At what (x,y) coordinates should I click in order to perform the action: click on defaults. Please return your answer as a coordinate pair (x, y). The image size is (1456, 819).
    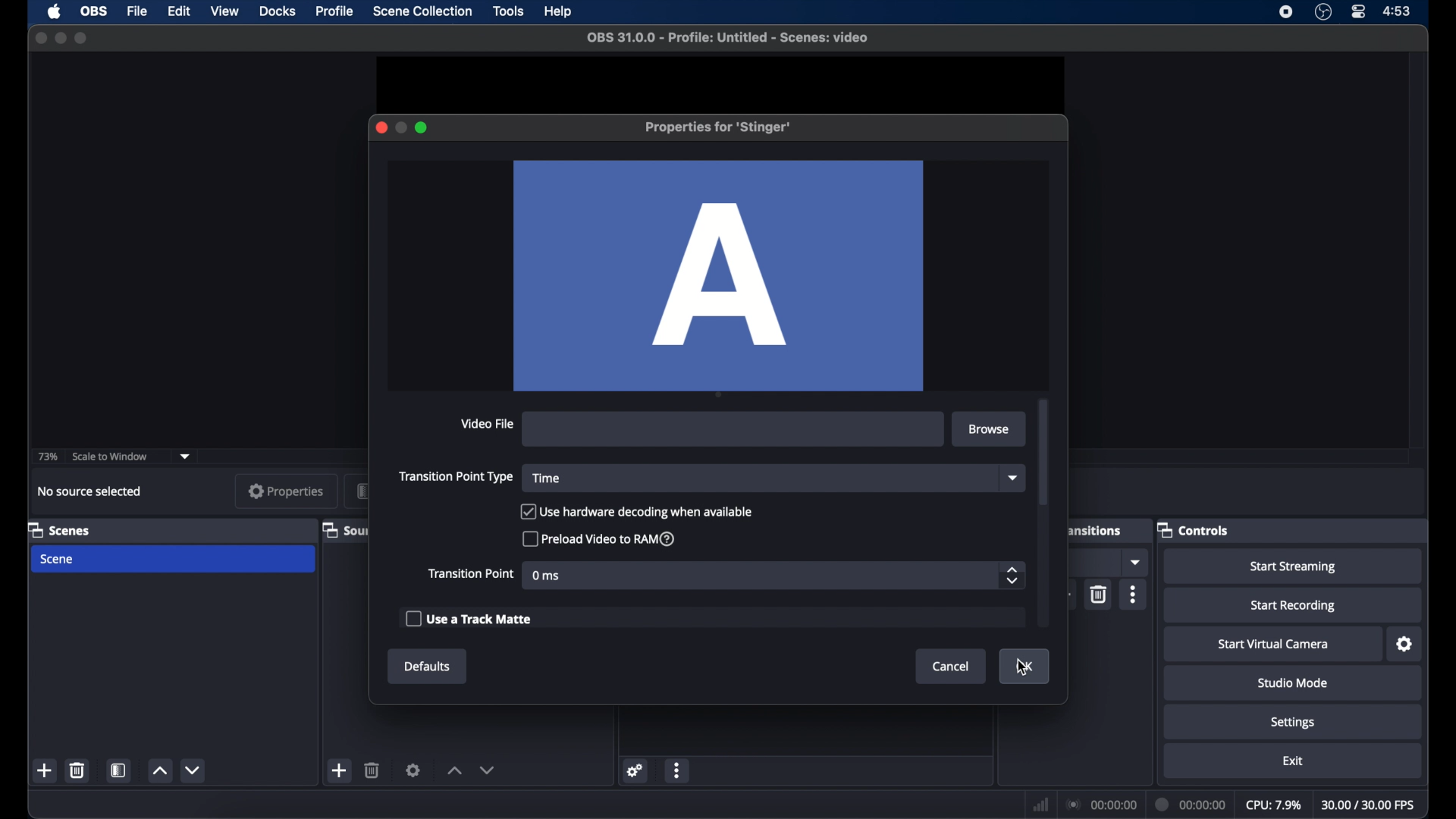
    Looking at the image, I should click on (428, 667).